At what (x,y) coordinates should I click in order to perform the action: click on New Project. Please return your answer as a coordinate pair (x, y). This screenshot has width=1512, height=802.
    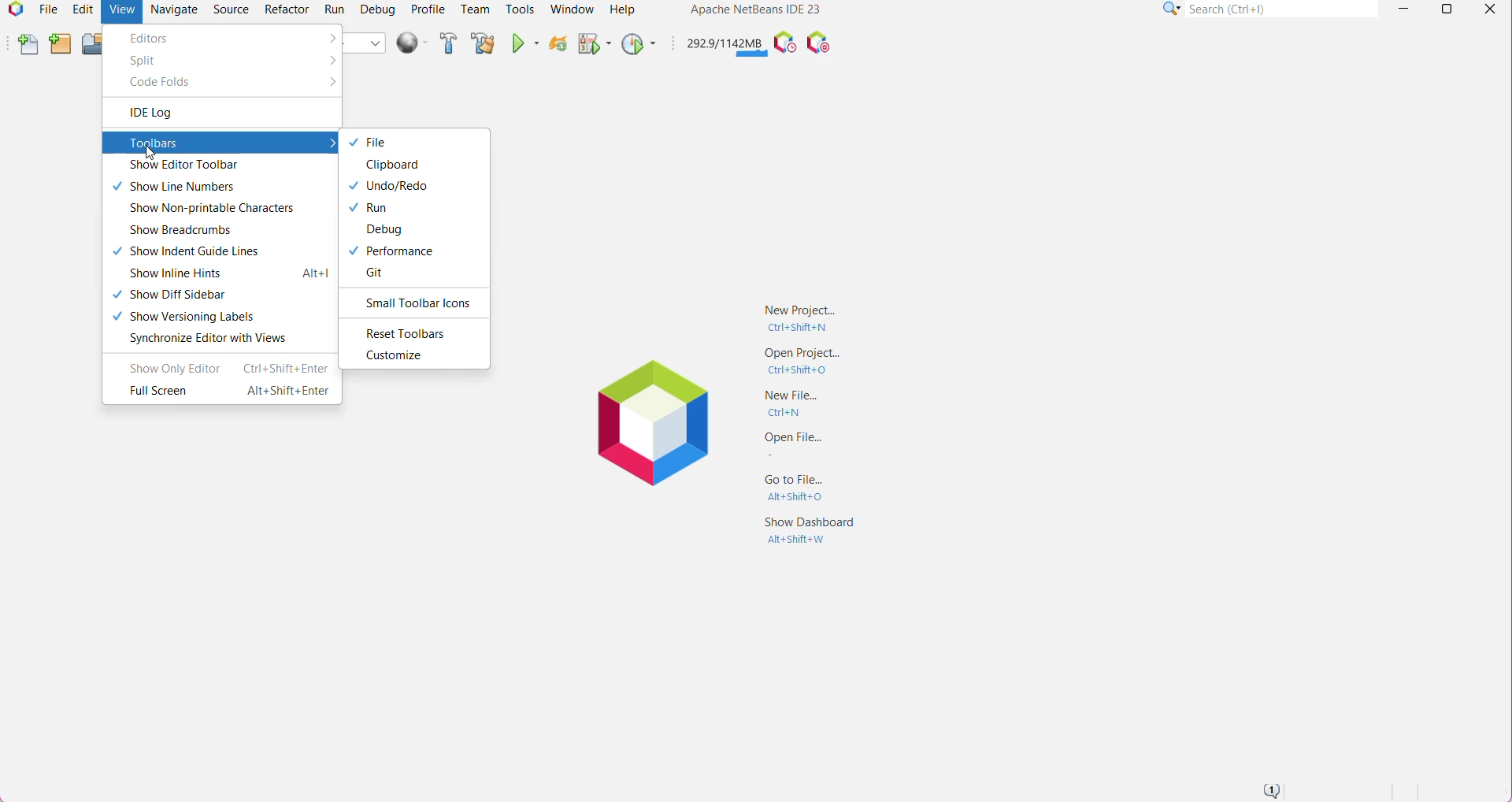
    Looking at the image, I should click on (800, 317).